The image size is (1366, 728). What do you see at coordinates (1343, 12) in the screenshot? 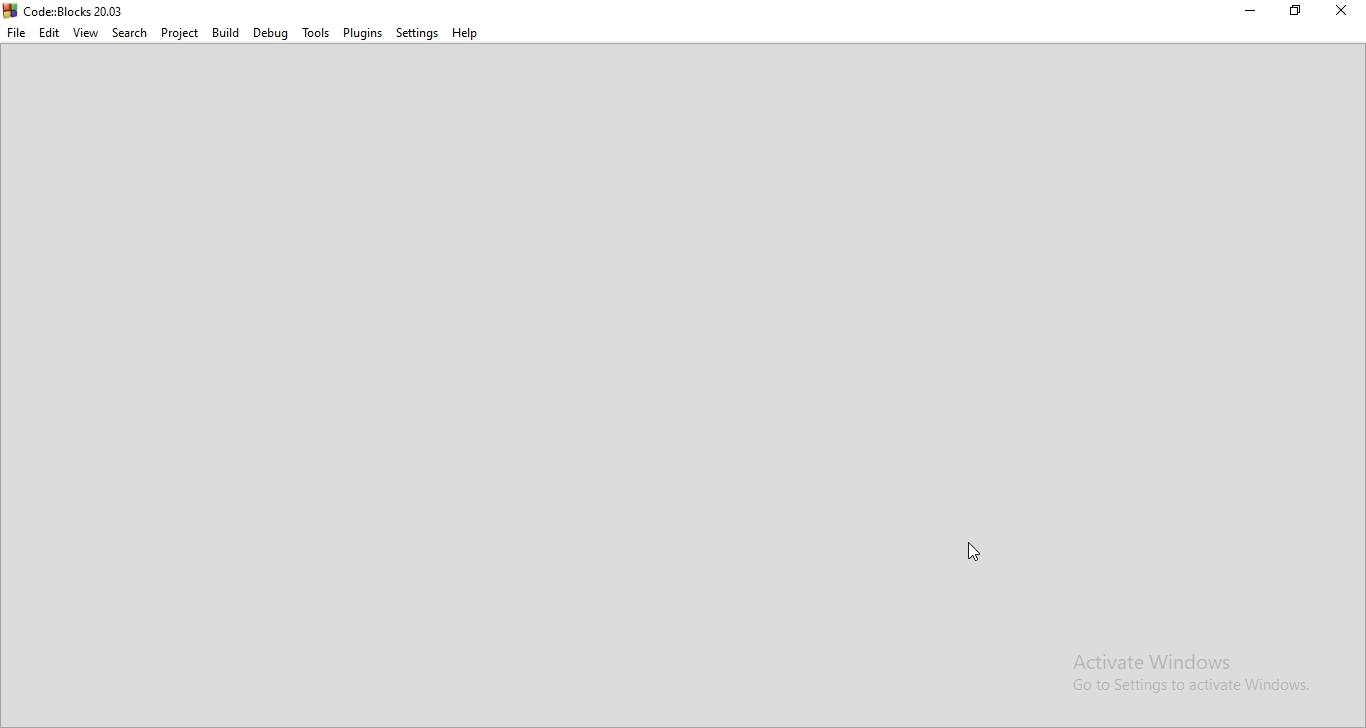
I see `Close` at bounding box center [1343, 12].